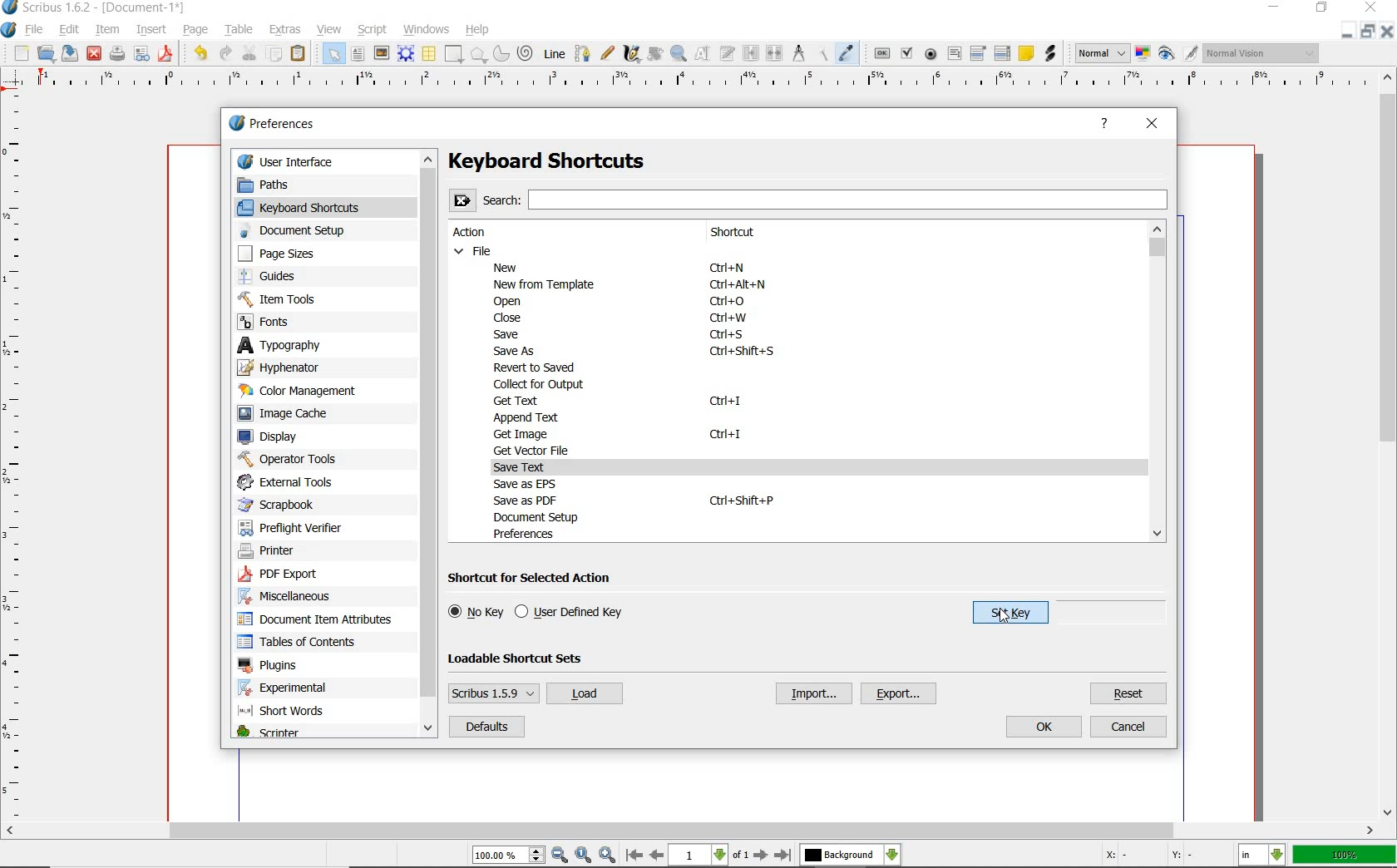  Describe the element at coordinates (292, 367) in the screenshot. I see `hyphenator` at that location.